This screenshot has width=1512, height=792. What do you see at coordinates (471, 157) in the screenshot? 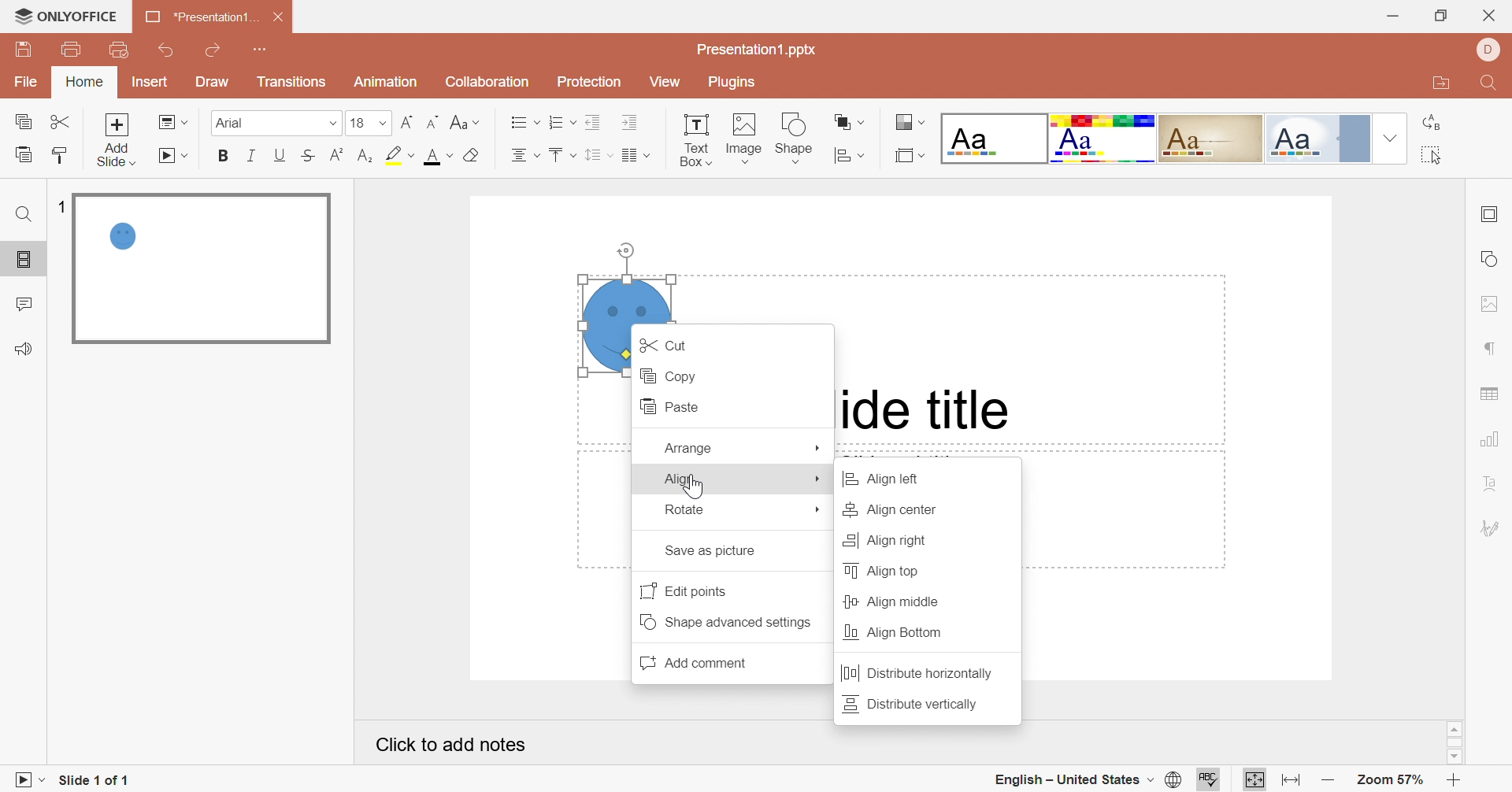
I see `Clear` at bounding box center [471, 157].